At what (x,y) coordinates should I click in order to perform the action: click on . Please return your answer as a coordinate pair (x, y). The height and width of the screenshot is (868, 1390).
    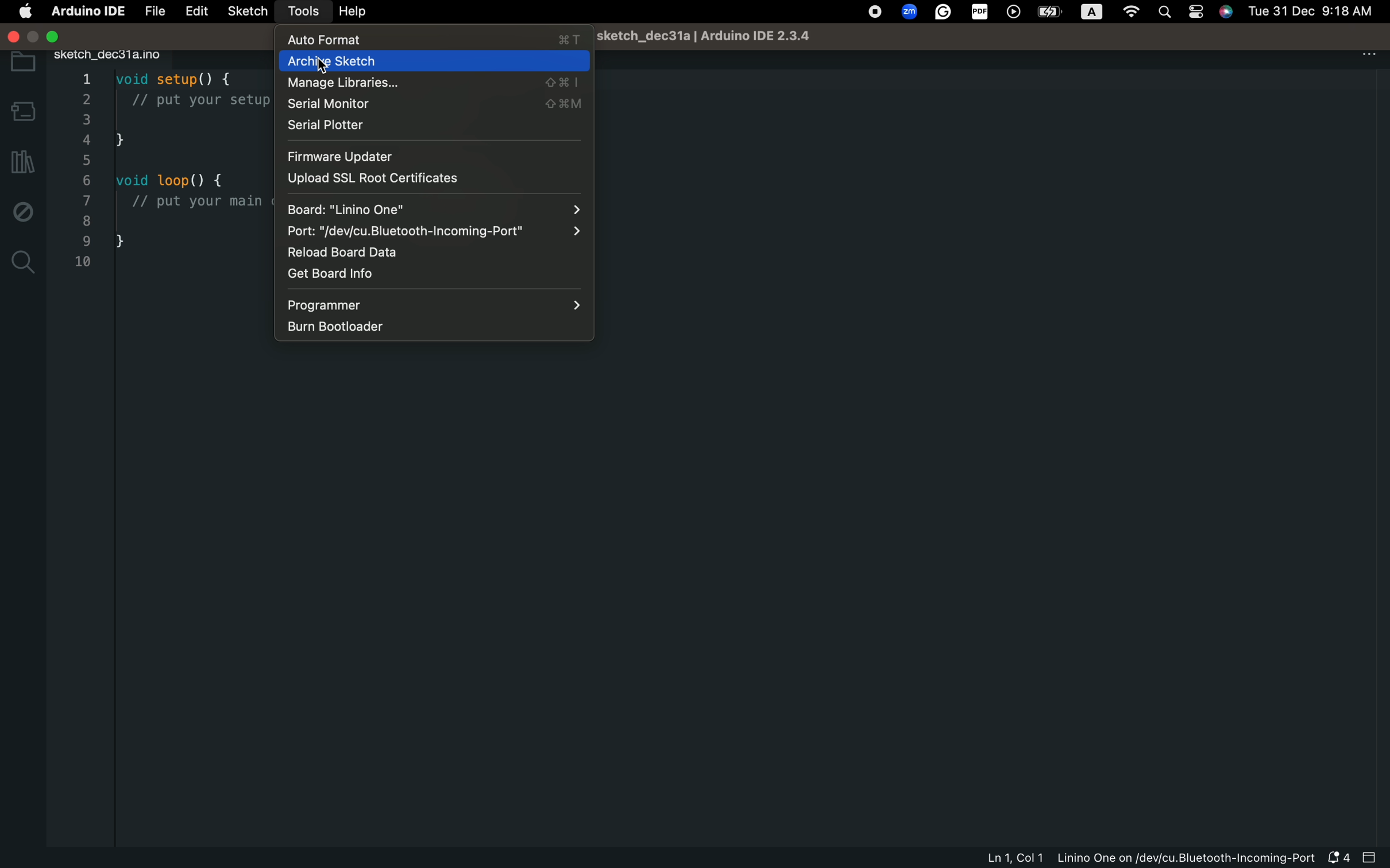
    Looking at the image, I should click on (432, 37).